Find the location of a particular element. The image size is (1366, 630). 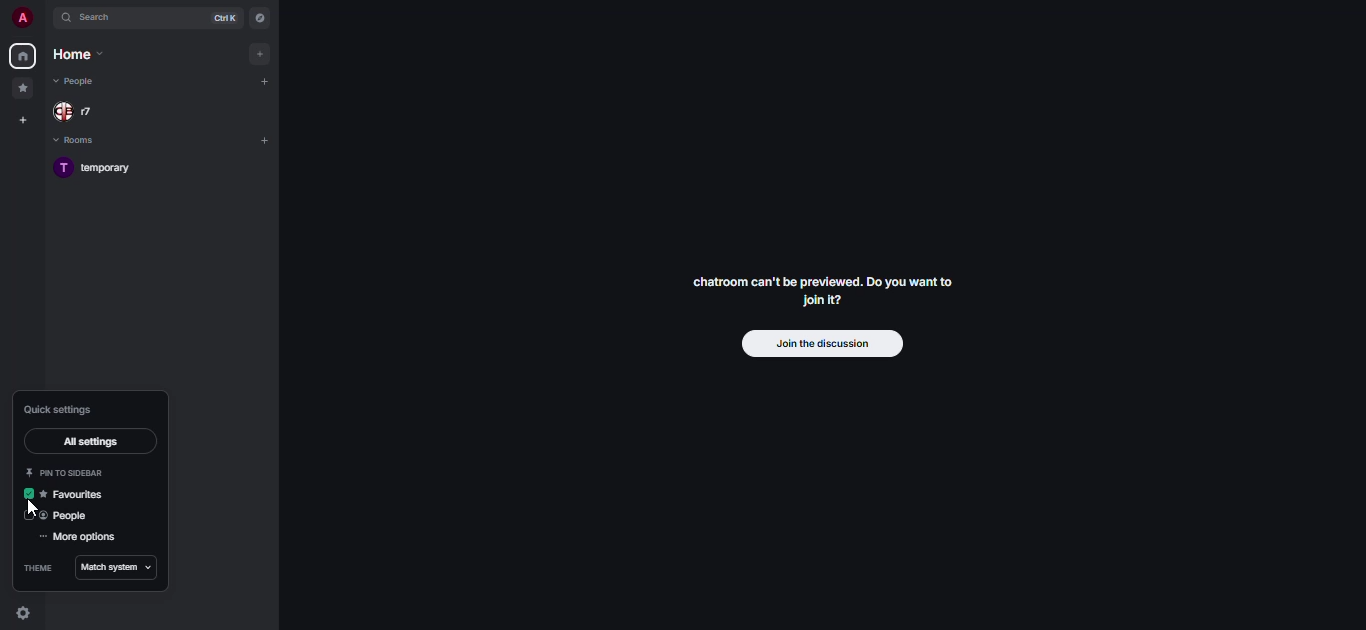

match system is located at coordinates (115, 567).